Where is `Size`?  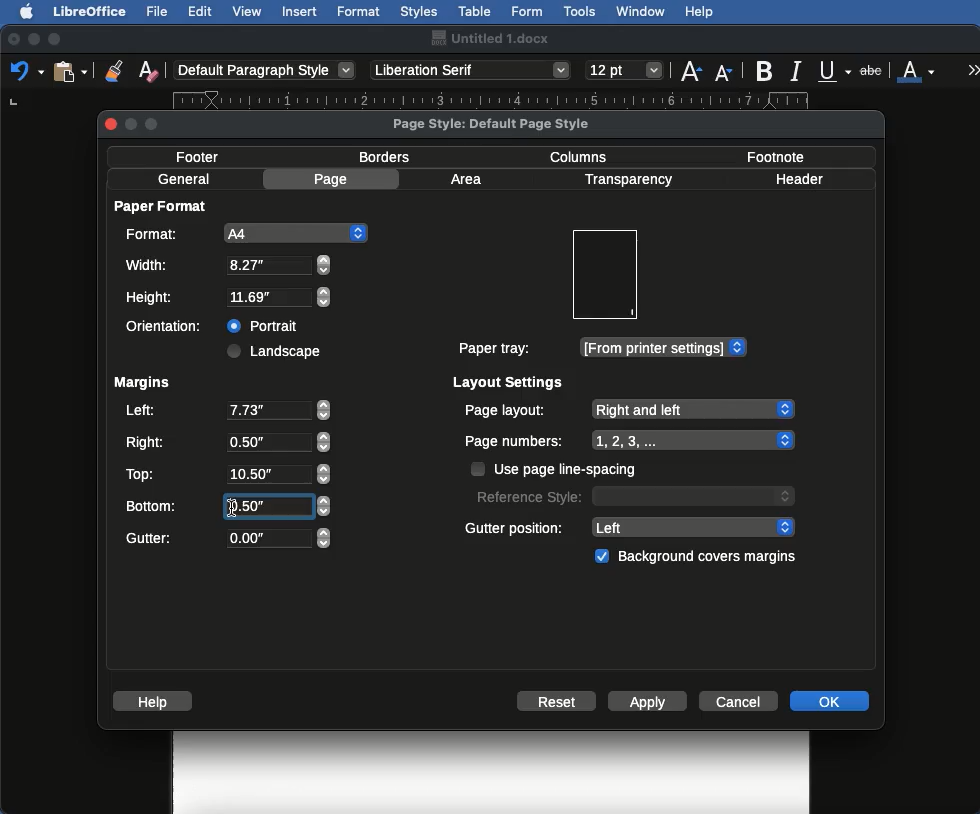 Size is located at coordinates (626, 71).